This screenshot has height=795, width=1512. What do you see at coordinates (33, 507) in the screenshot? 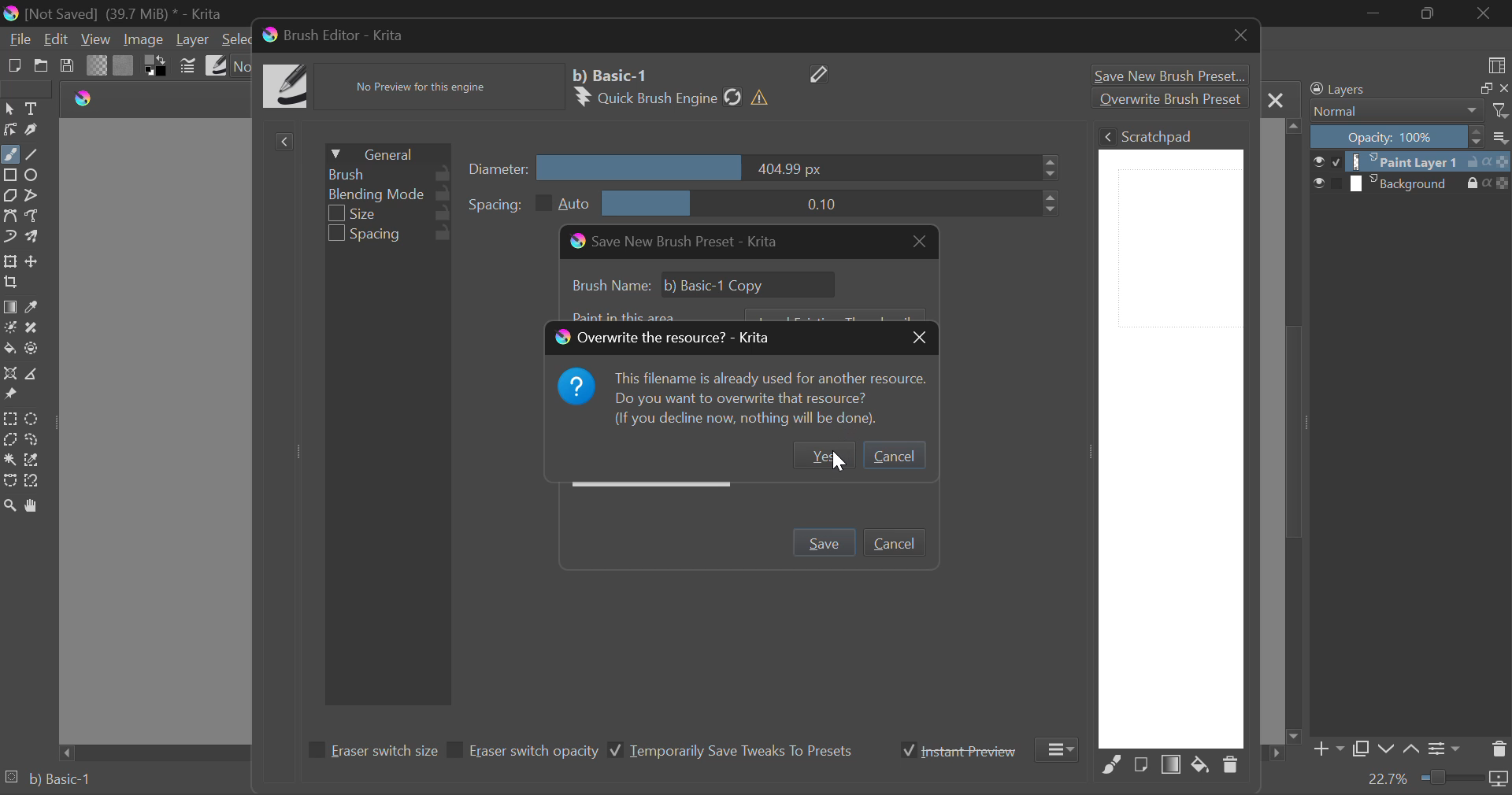
I see `Pan` at bounding box center [33, 507].